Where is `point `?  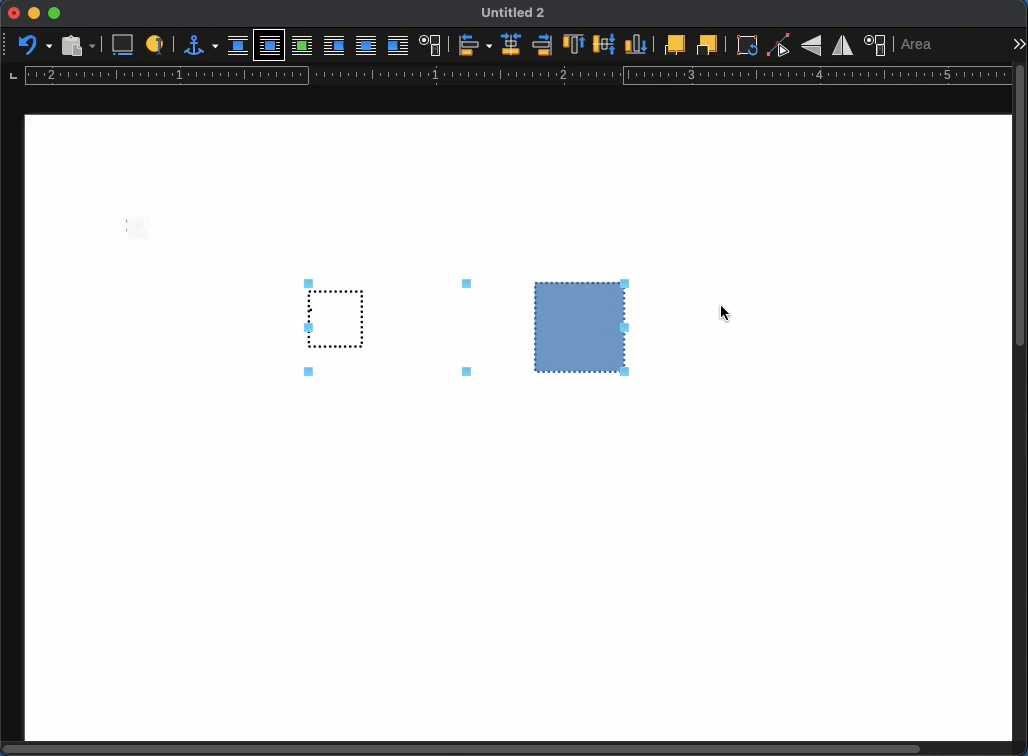
point  is located at coordinates (778, 45).